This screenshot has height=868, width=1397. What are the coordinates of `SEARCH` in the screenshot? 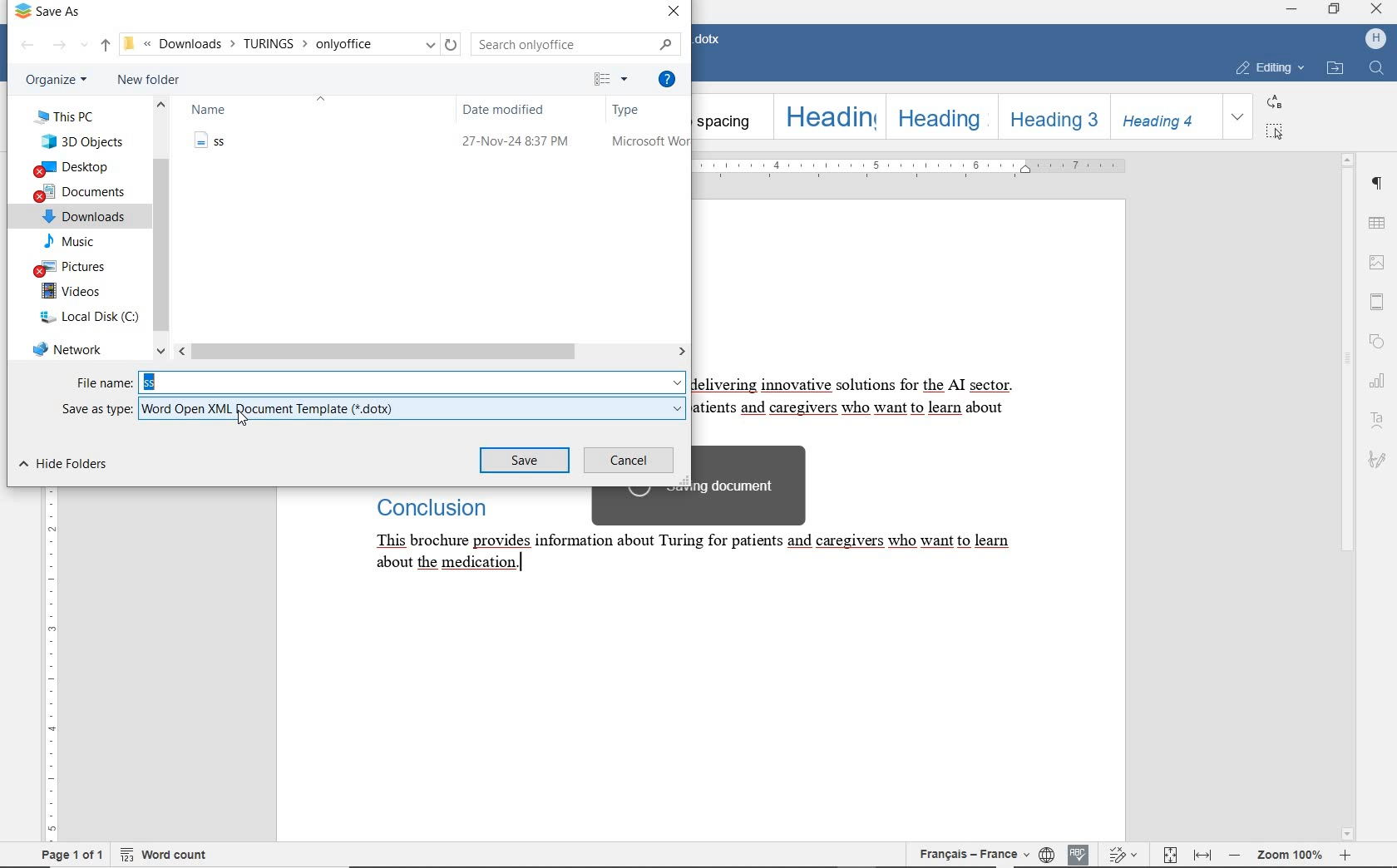 It's located at (575, 42).